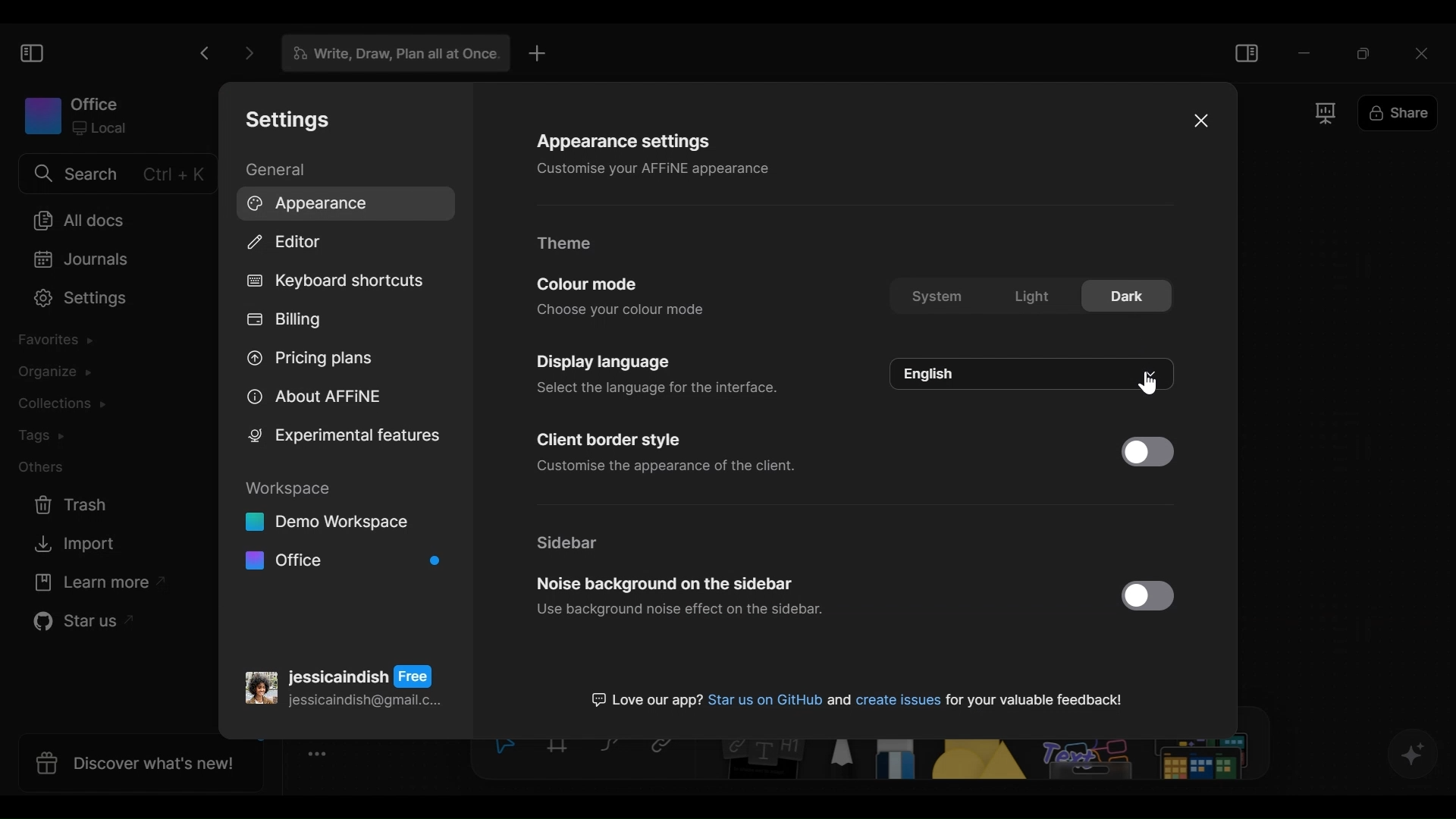 The image size is (1456, 819). What do you see at coordinates (80, 624) in the screenshot?
I see `Star us` at bounding box center [80, 624].